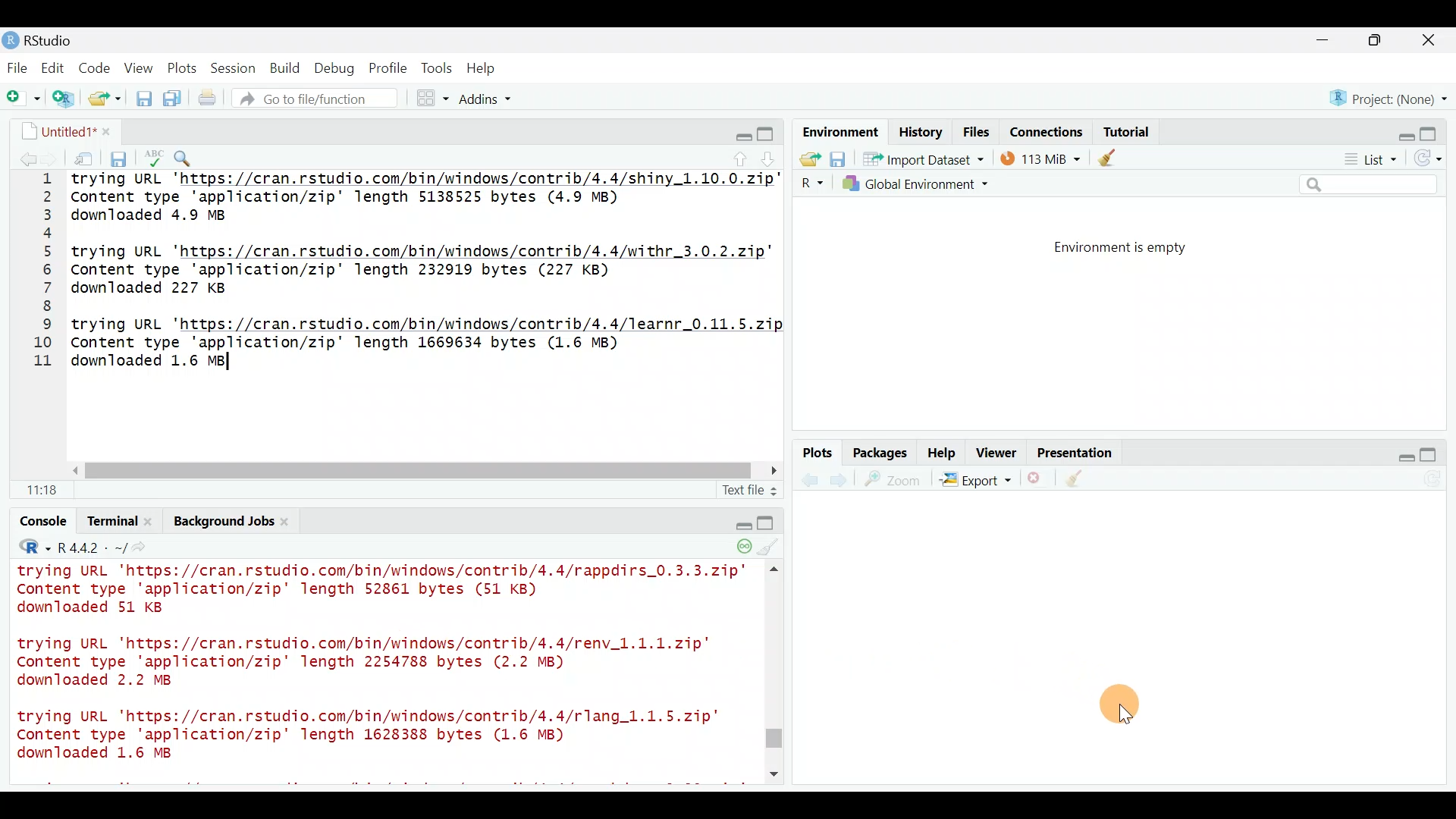 The image size is (1456, 819). Describe the element at coordinates (397, 179) in the screenshot. I see `1 trying URL https://cran. rstudio com/bin/windows /contrib/4 4/shiny 1.10.0.zip` at that location.